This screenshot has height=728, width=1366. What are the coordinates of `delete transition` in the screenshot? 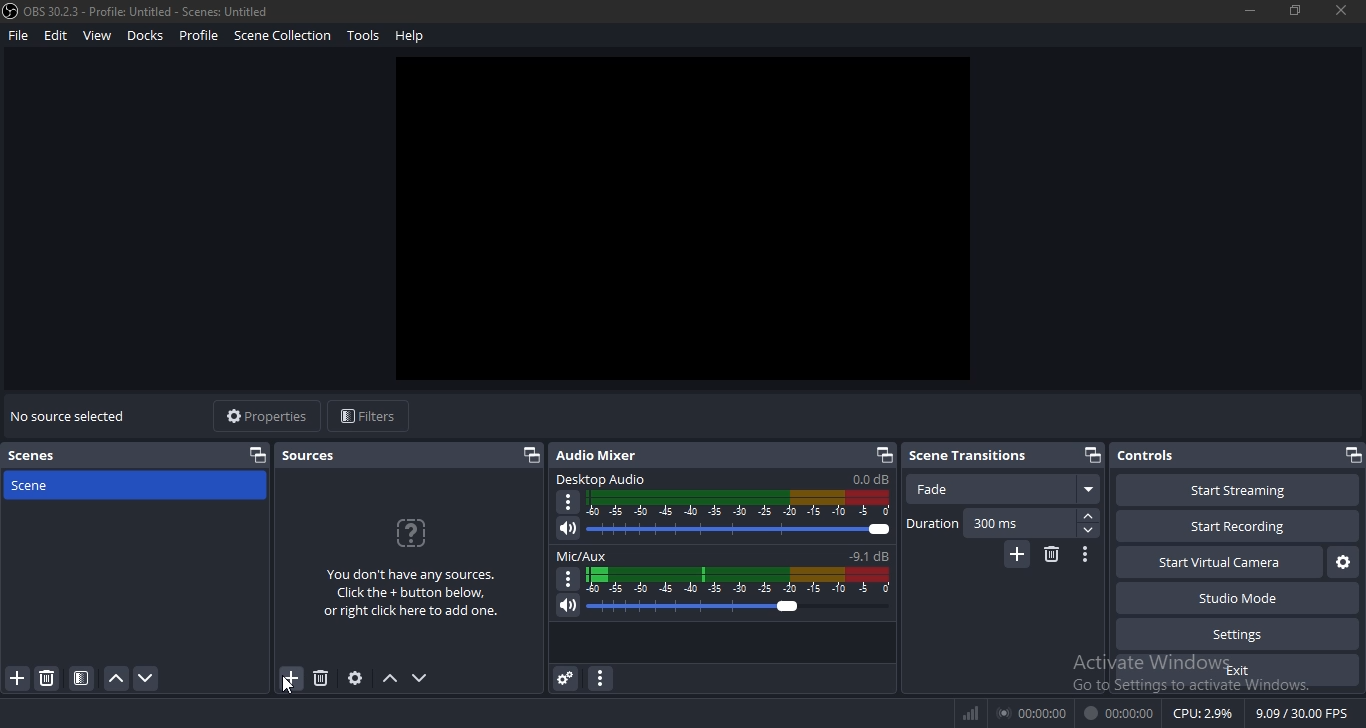 It's located at (1050, 555).